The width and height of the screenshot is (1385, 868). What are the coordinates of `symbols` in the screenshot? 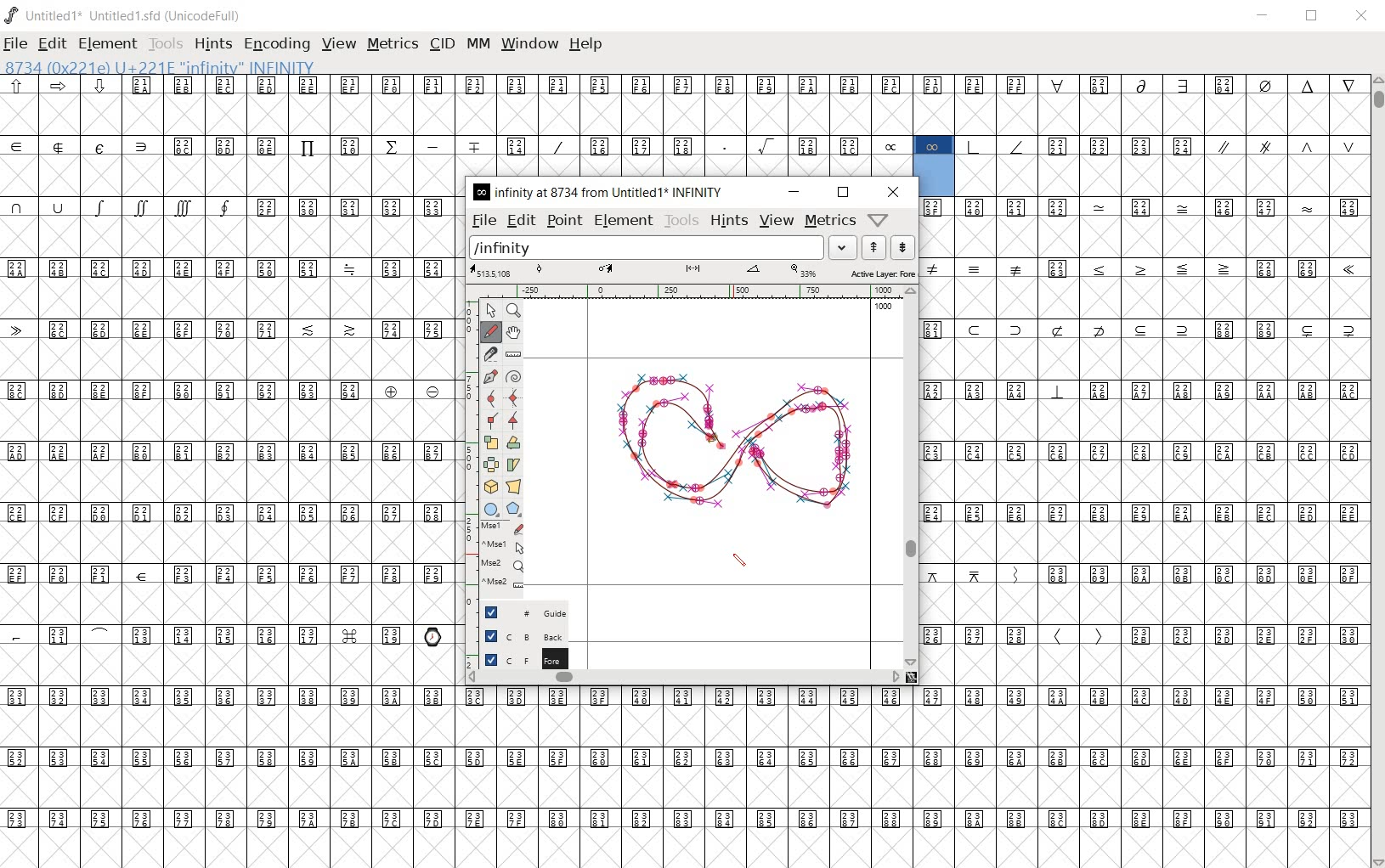 It's located at (1286, 144).